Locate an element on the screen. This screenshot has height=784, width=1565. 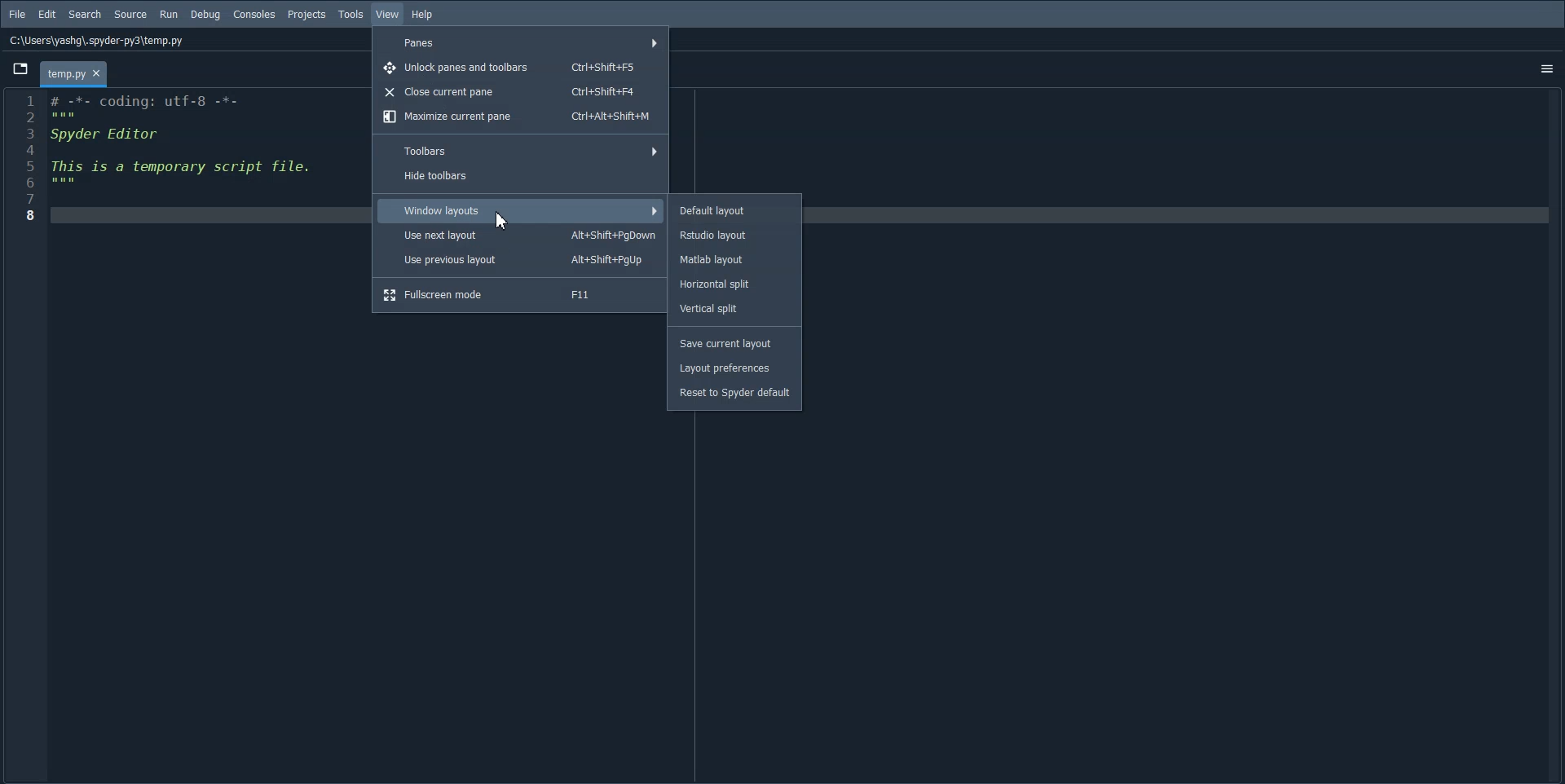
Use previous layout is located at coordinates (521, 260).